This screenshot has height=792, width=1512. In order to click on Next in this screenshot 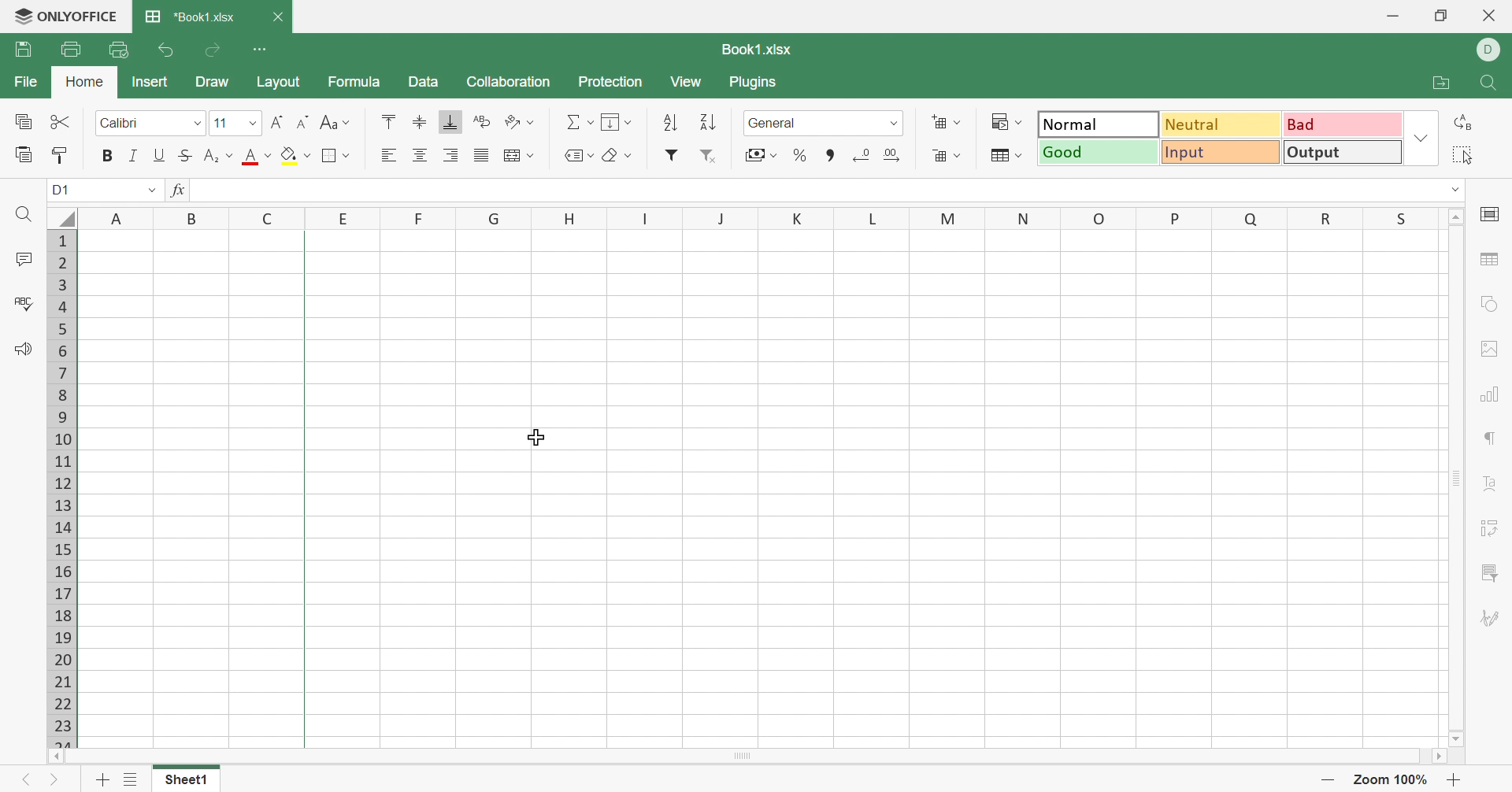, I will do `click(59, 780)`.